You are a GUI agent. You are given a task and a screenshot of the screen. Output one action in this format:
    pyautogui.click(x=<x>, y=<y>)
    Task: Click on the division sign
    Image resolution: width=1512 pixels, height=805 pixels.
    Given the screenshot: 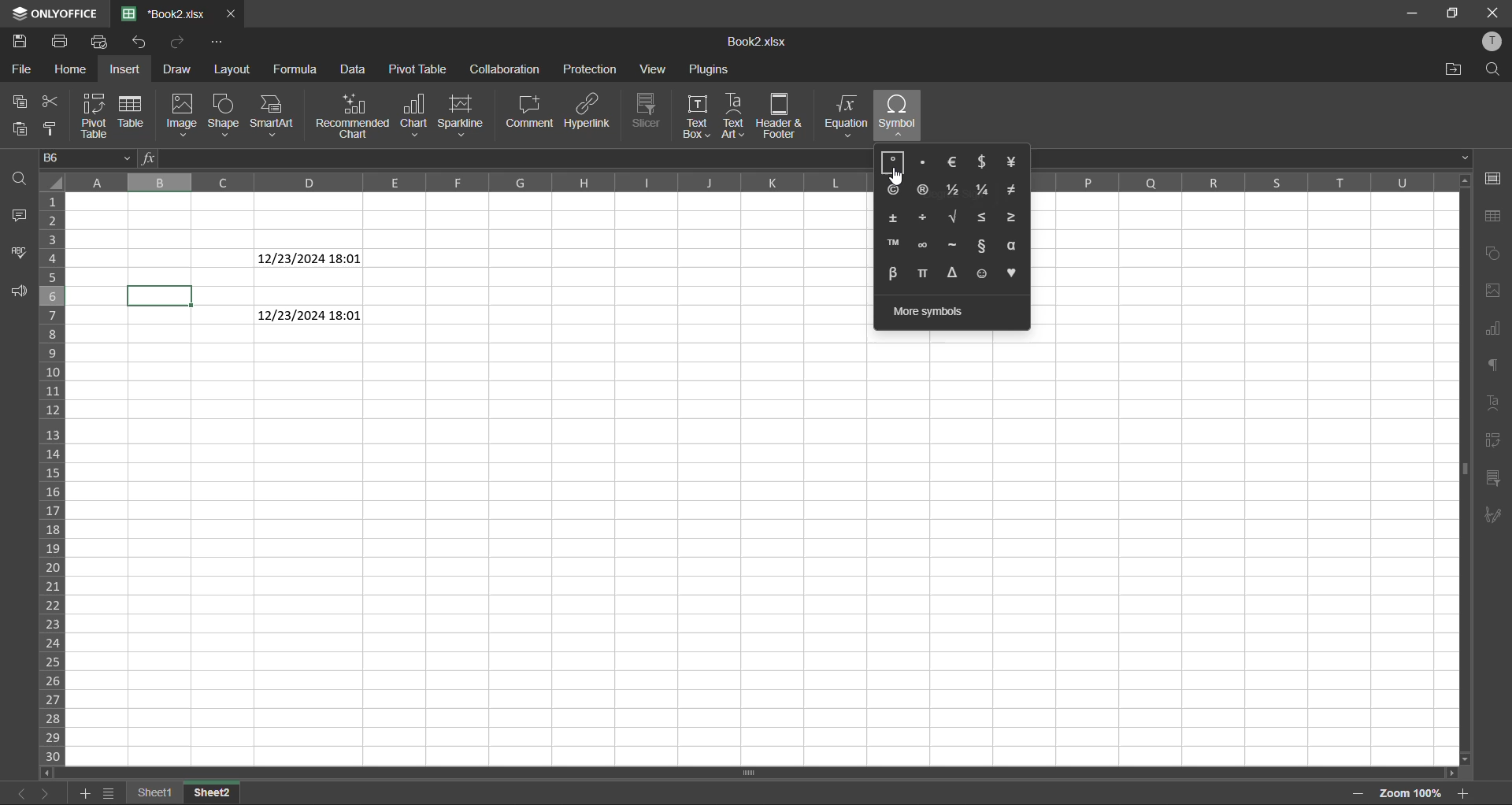 What is the action you would take?
    pyautogui.click(x=923, y=218)
    